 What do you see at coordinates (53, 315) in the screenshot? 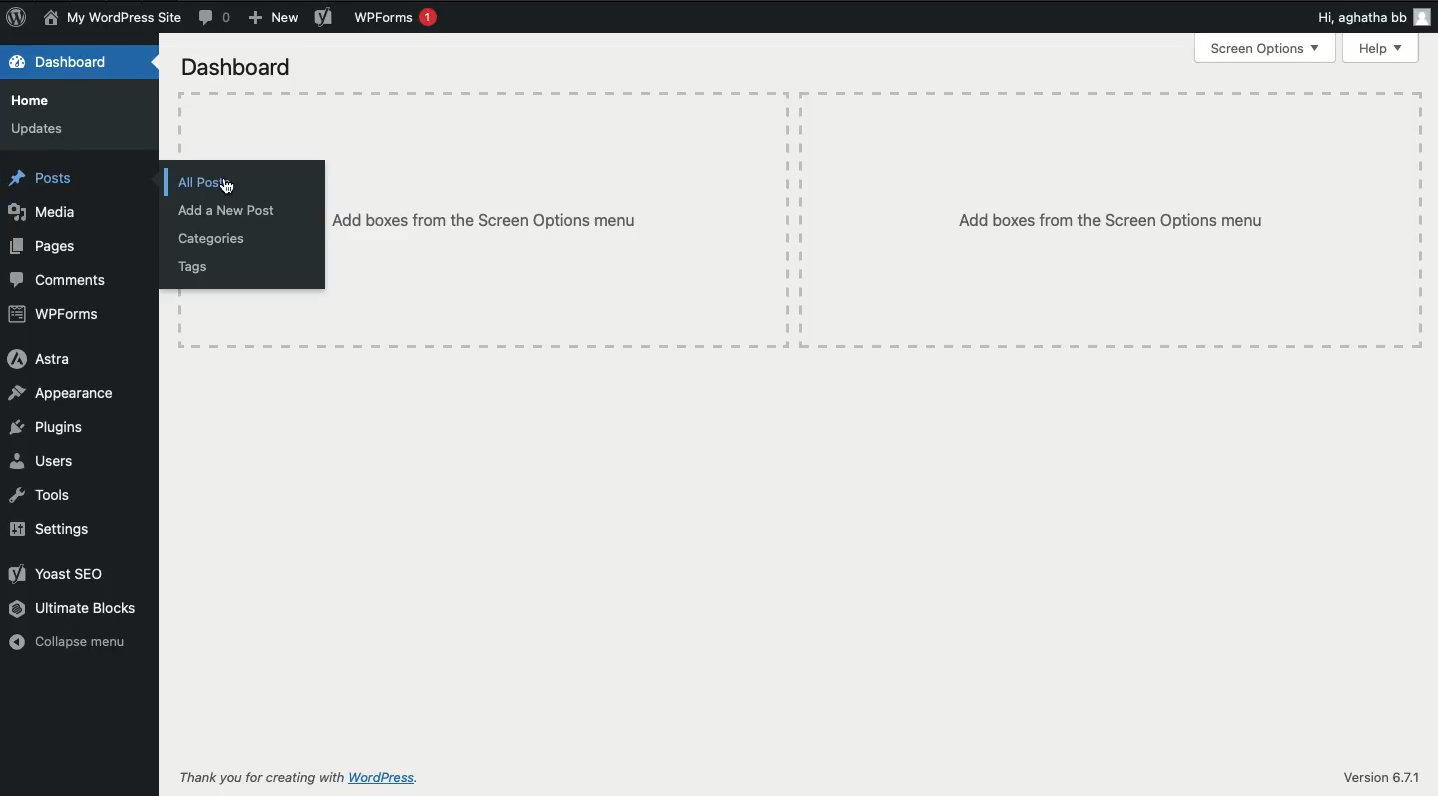
I see `WPForms` at bounding box center [53, 315].